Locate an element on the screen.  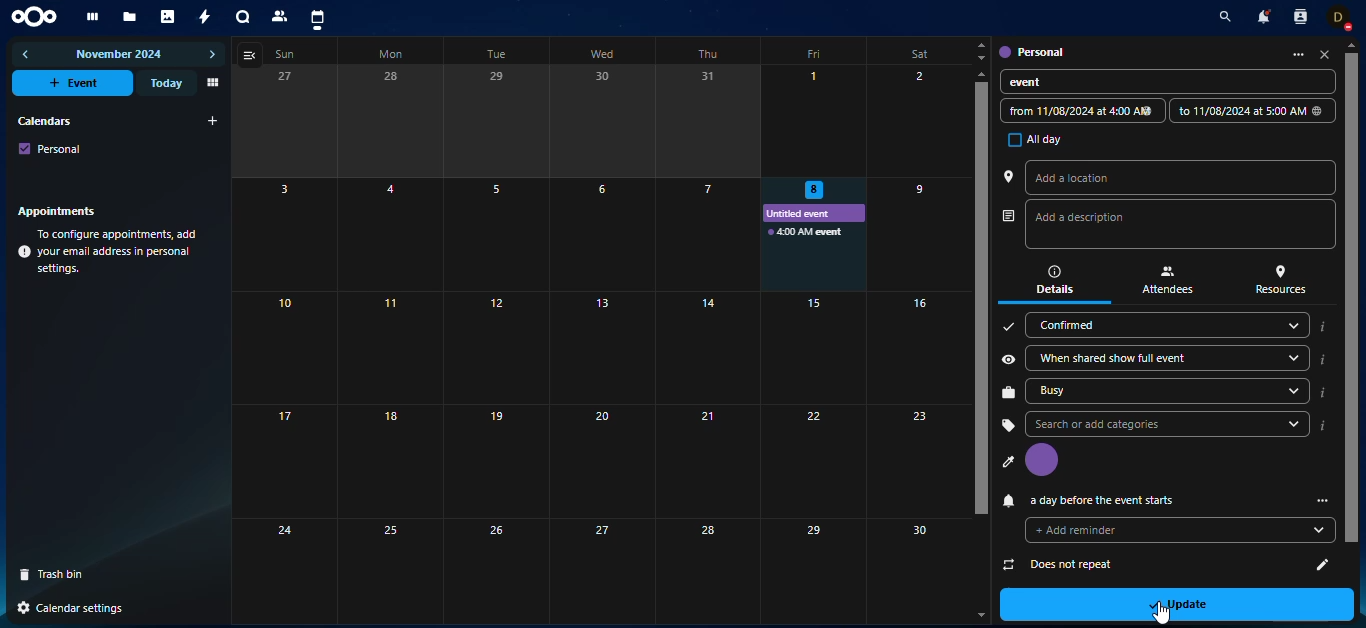
appointments is located at coordinates (62, 210).